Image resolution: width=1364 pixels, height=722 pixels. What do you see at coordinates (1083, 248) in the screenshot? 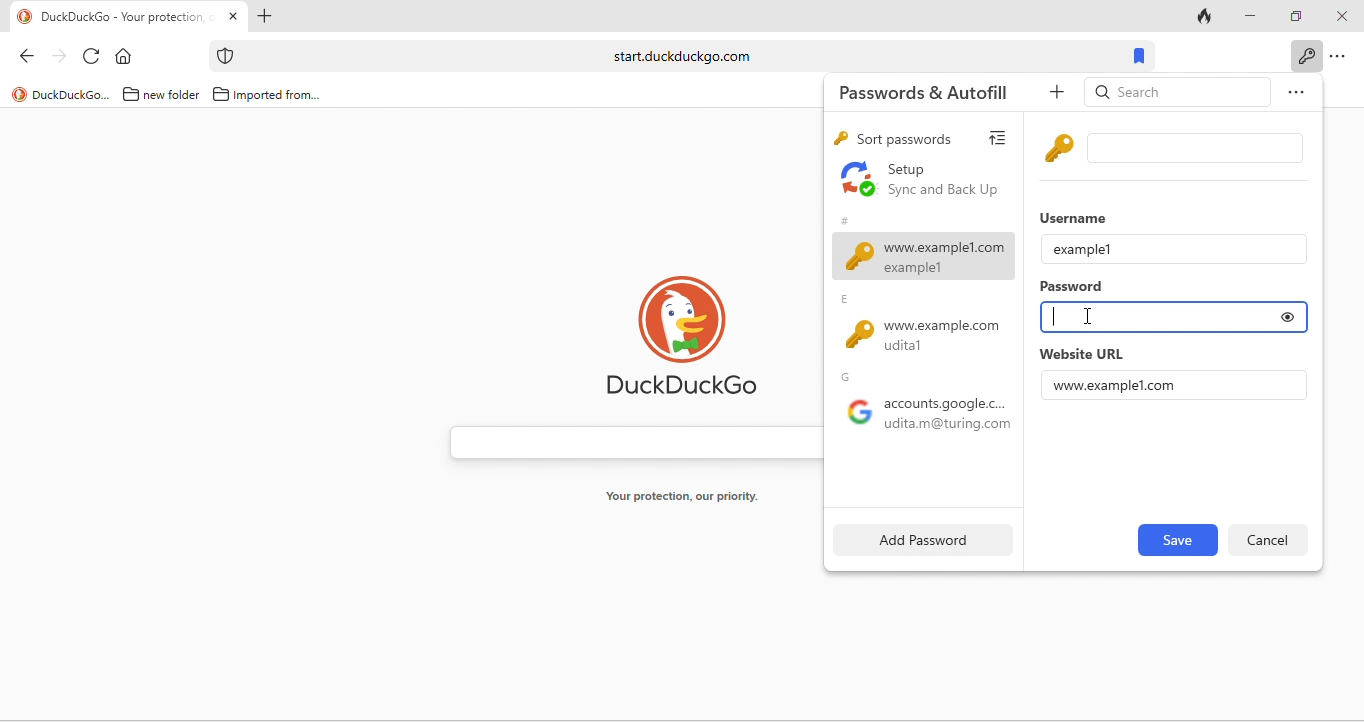
I see `example1` at bounding box center [1083, 248].